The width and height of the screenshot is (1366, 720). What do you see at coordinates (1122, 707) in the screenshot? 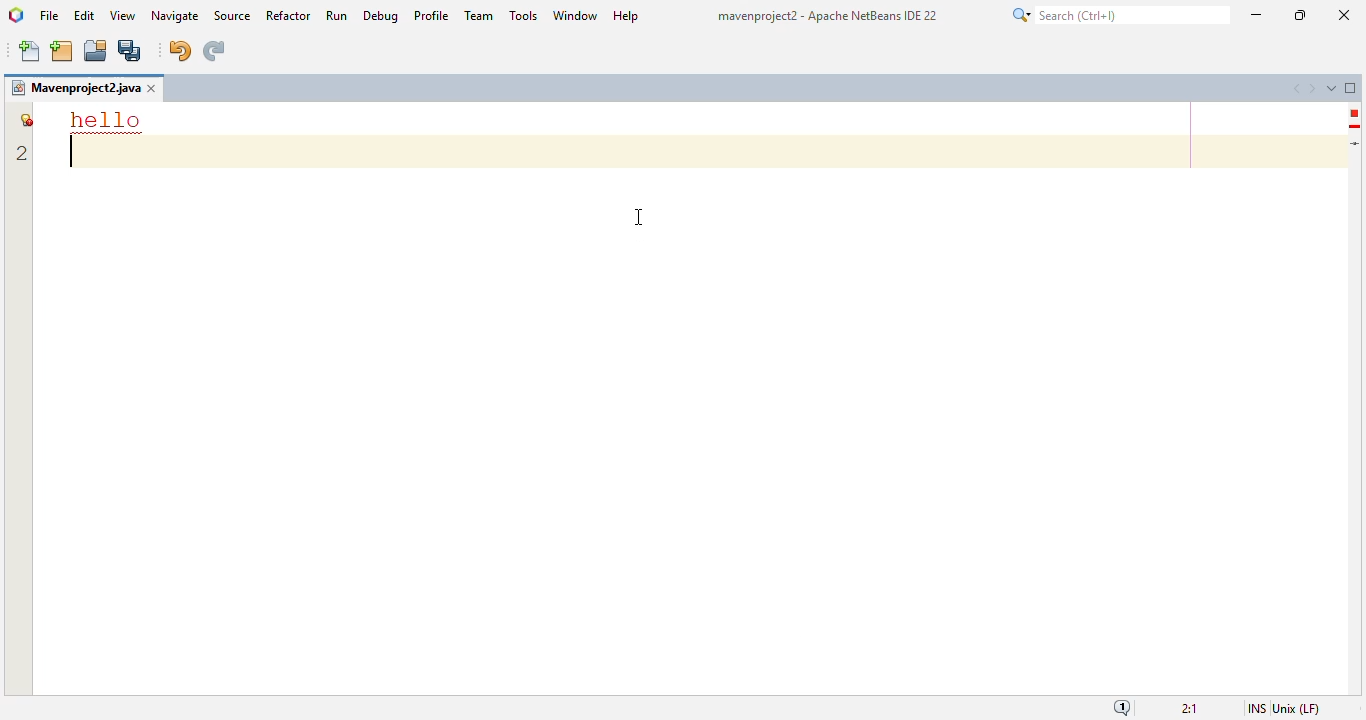
I see `notifications` at bounding box center [1122, 707].